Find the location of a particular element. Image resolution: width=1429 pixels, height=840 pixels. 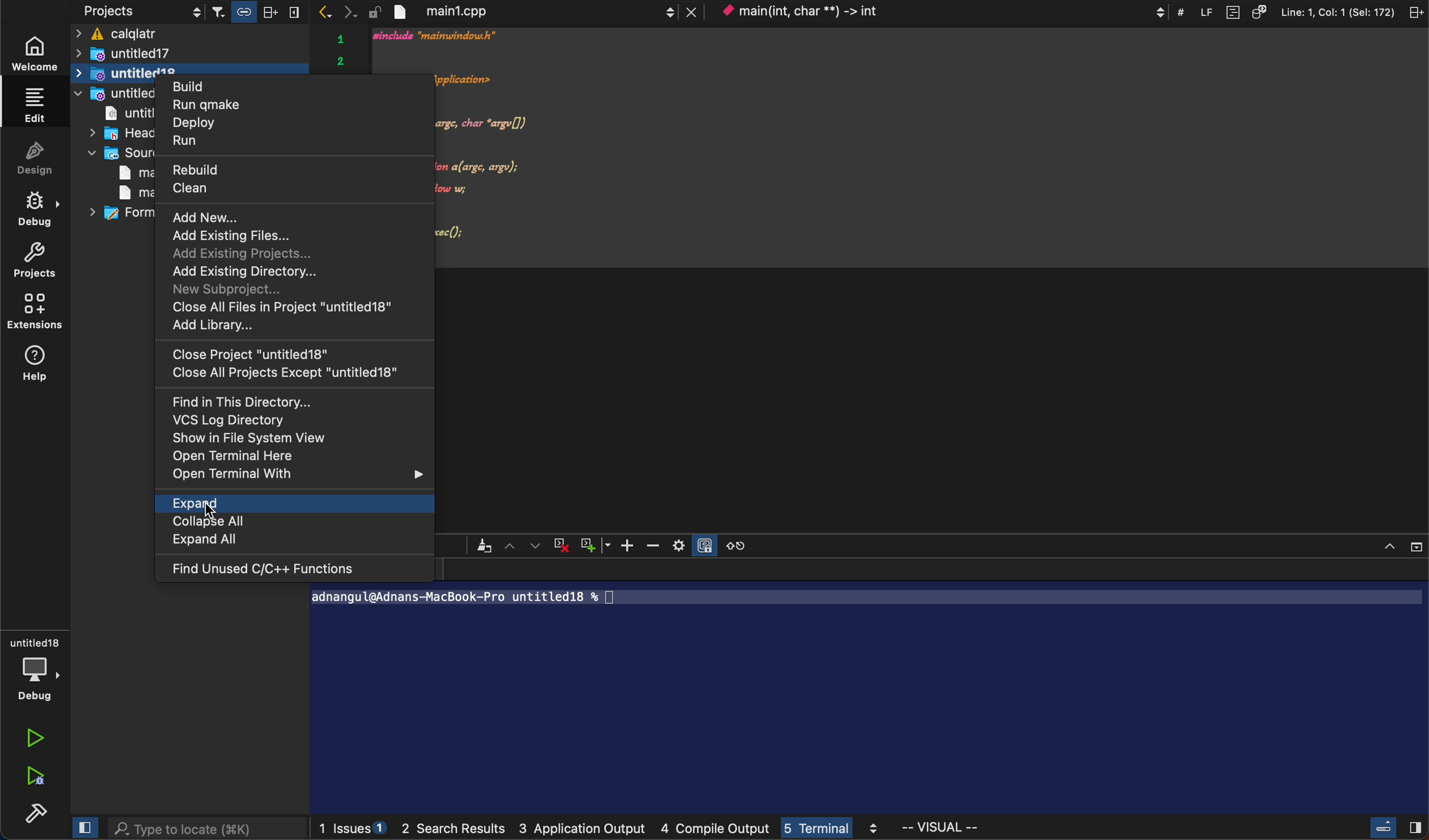

expand is located at coordinates (293, 501).